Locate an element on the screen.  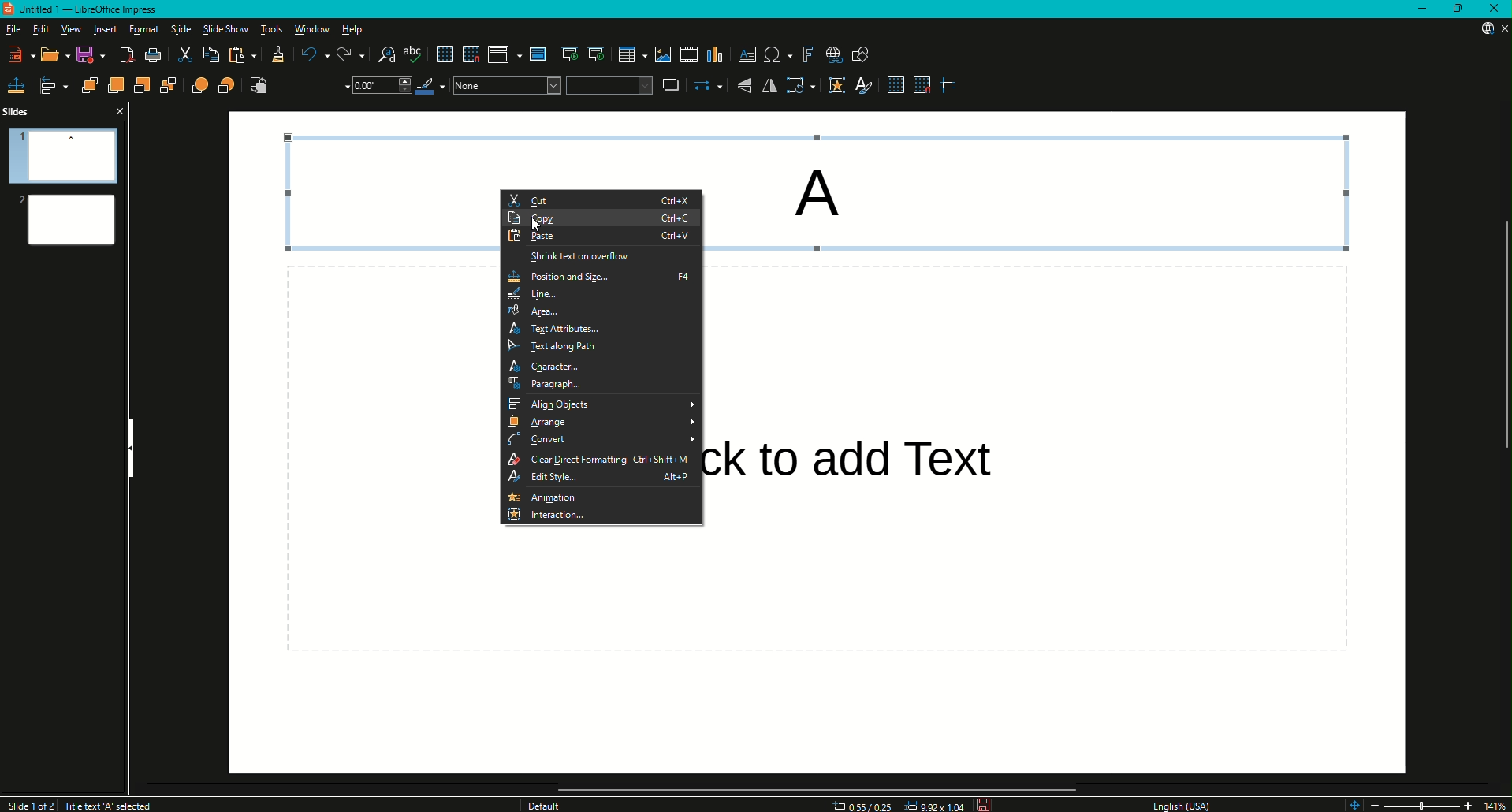
Insert Audio or Video is located at coordinates (688, 52).